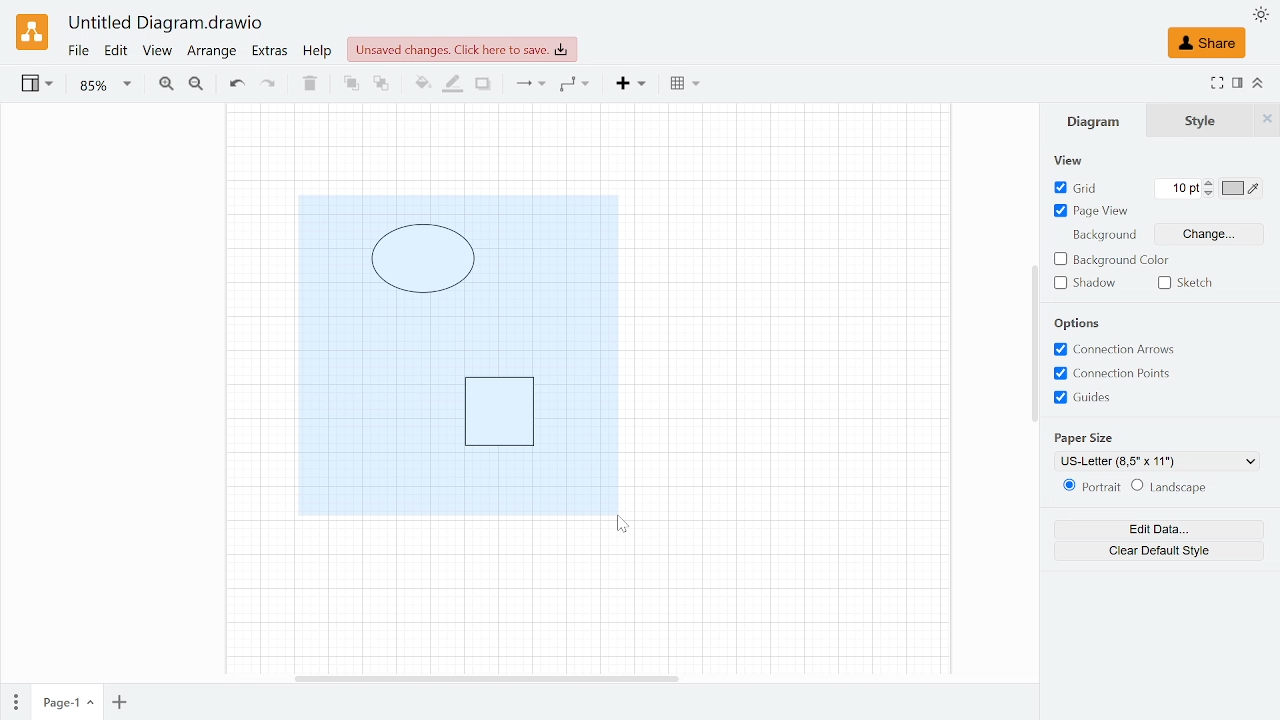 This screenshot has width=1280, height=720. What do you see at coordinates (268, 85) in the screenshot?
I see `Redo` at bounding box center [268, 85].